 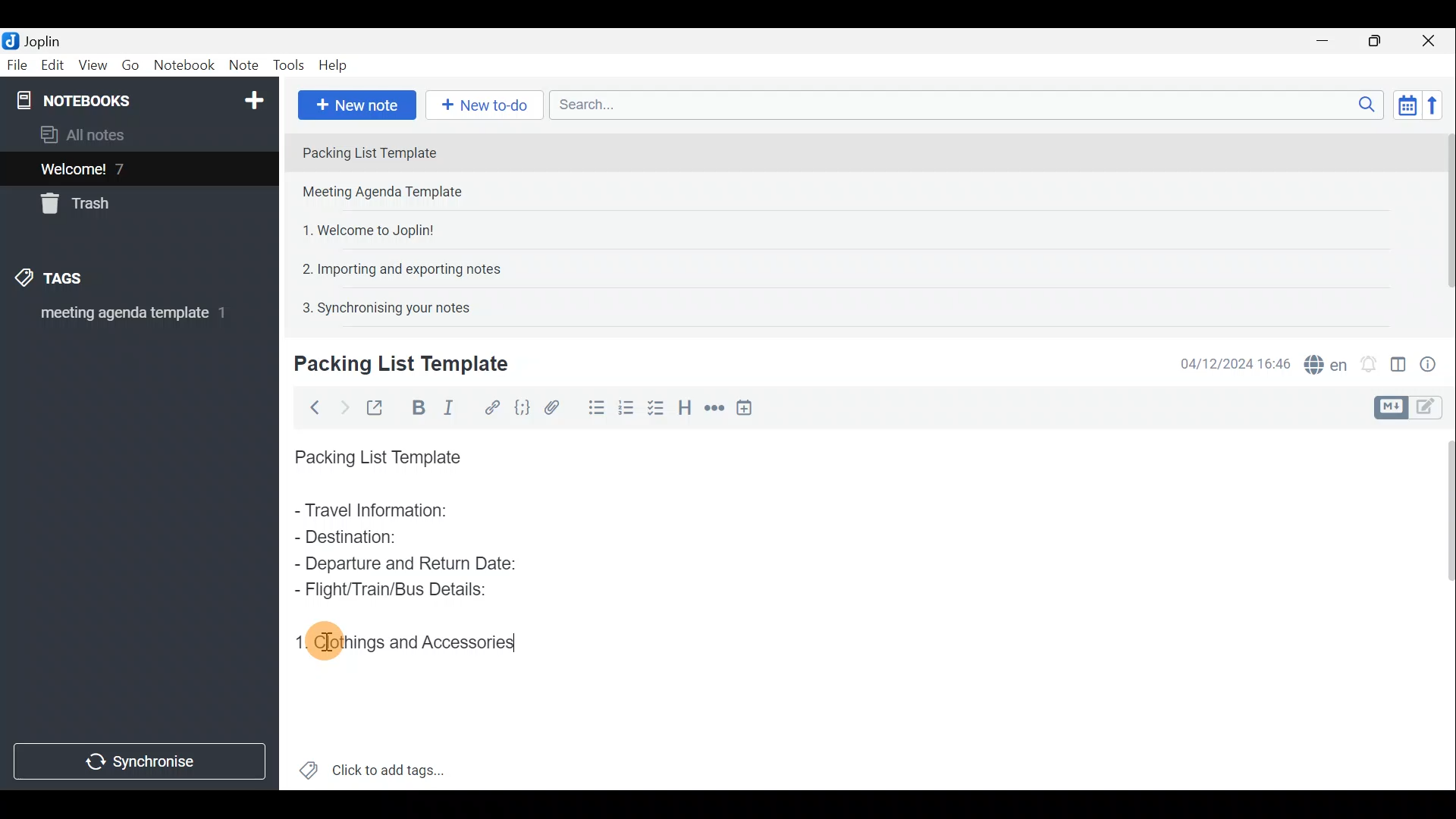 I want to click on Click to add tags, so click(x=372, y=766).